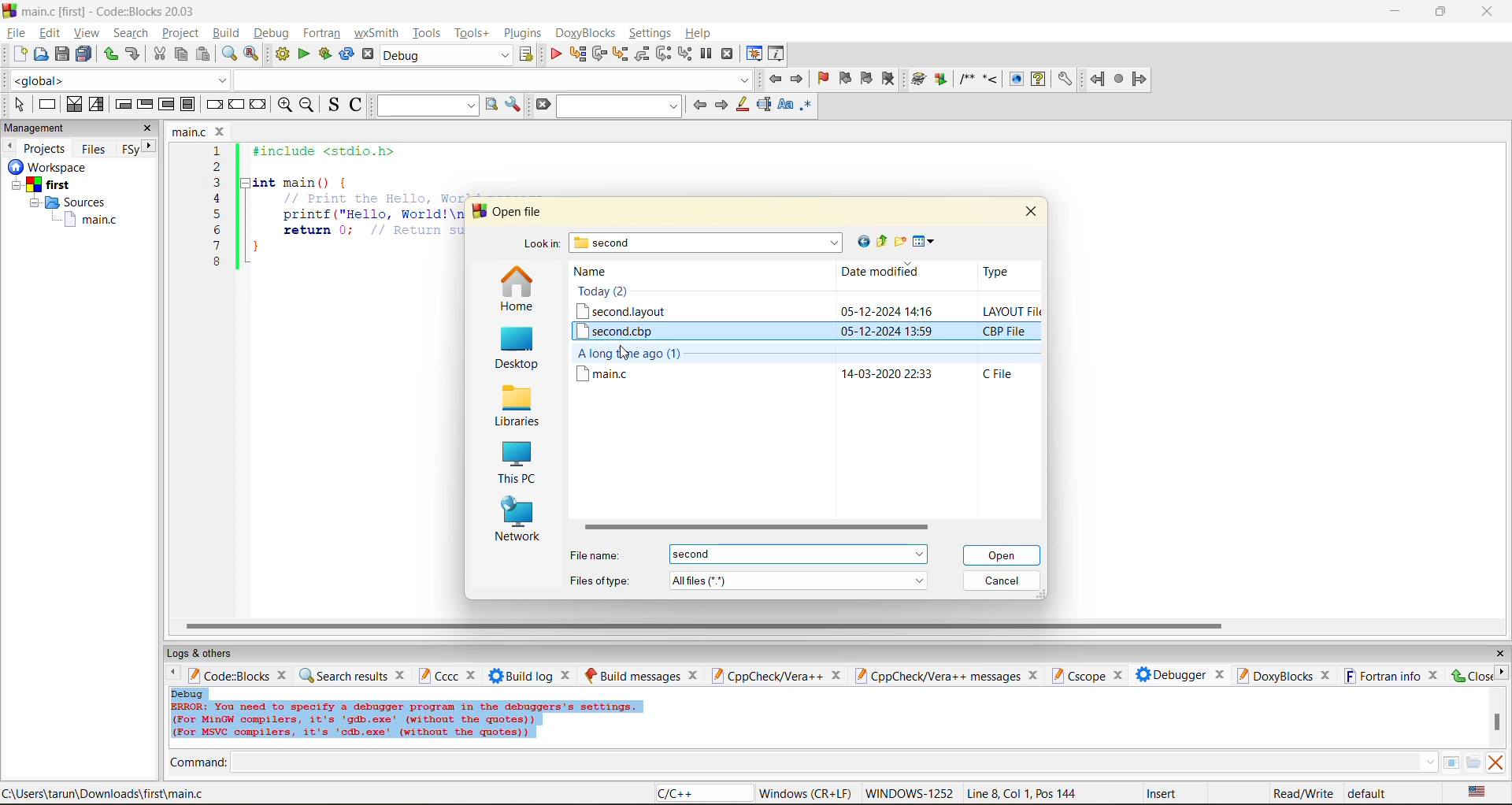  What do you see at coordinates (225, 32) in the screenshot?
I see `build` at bounding box center [225, 32].